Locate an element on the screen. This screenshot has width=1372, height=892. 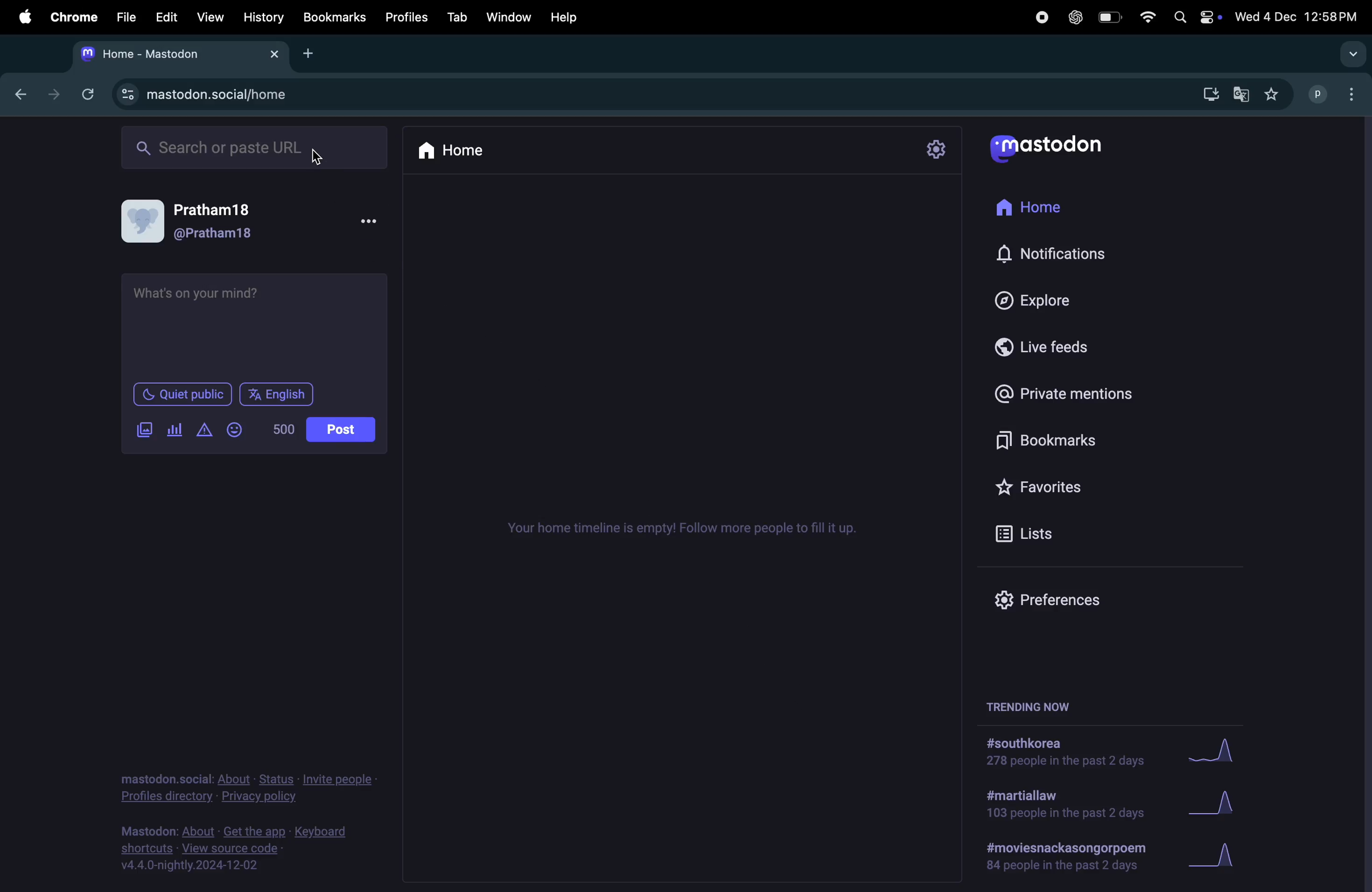
view source code is located at coordinates (240, 849).